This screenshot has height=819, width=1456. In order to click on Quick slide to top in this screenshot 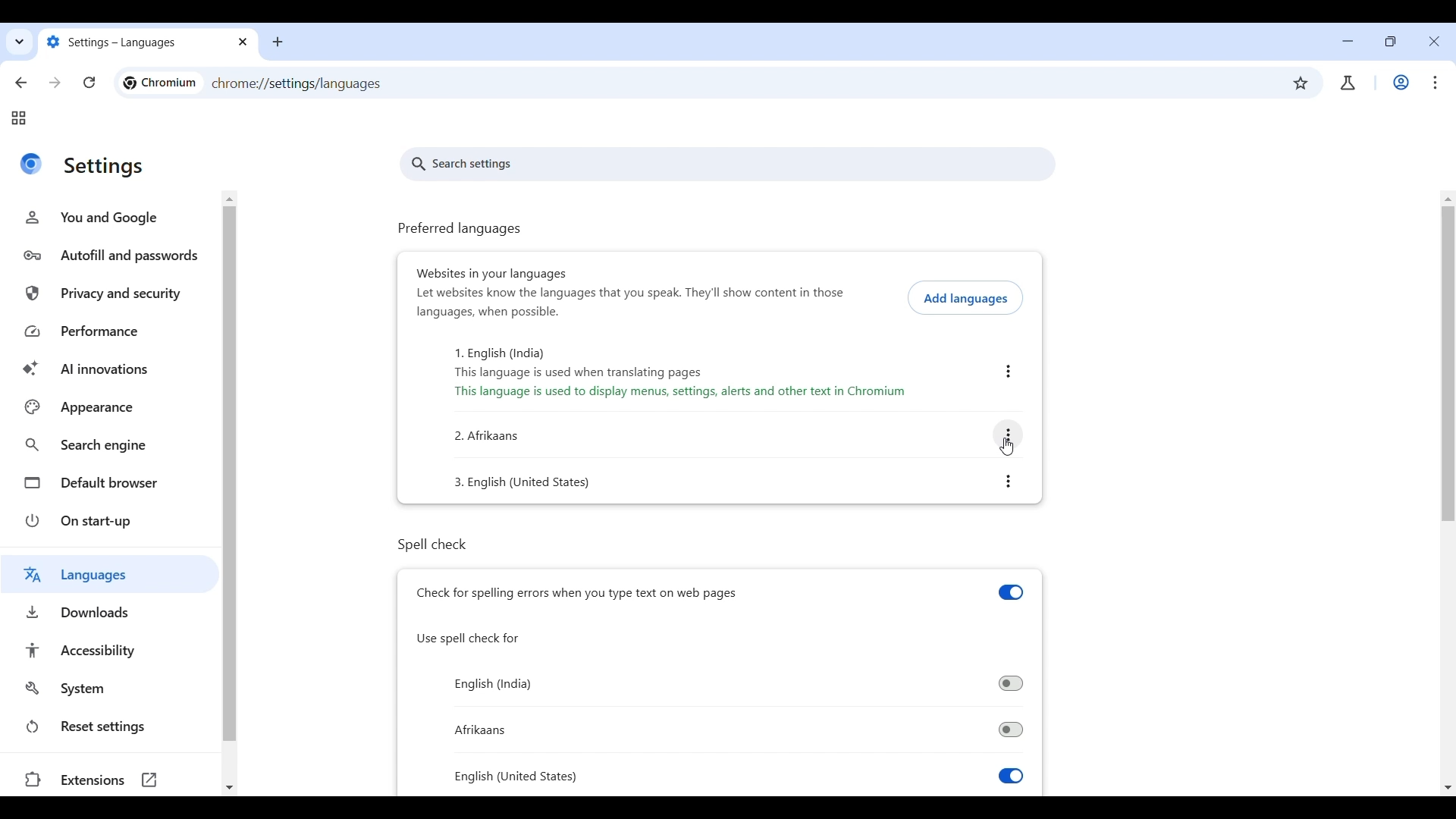, I will do `click(1448, 199)`.